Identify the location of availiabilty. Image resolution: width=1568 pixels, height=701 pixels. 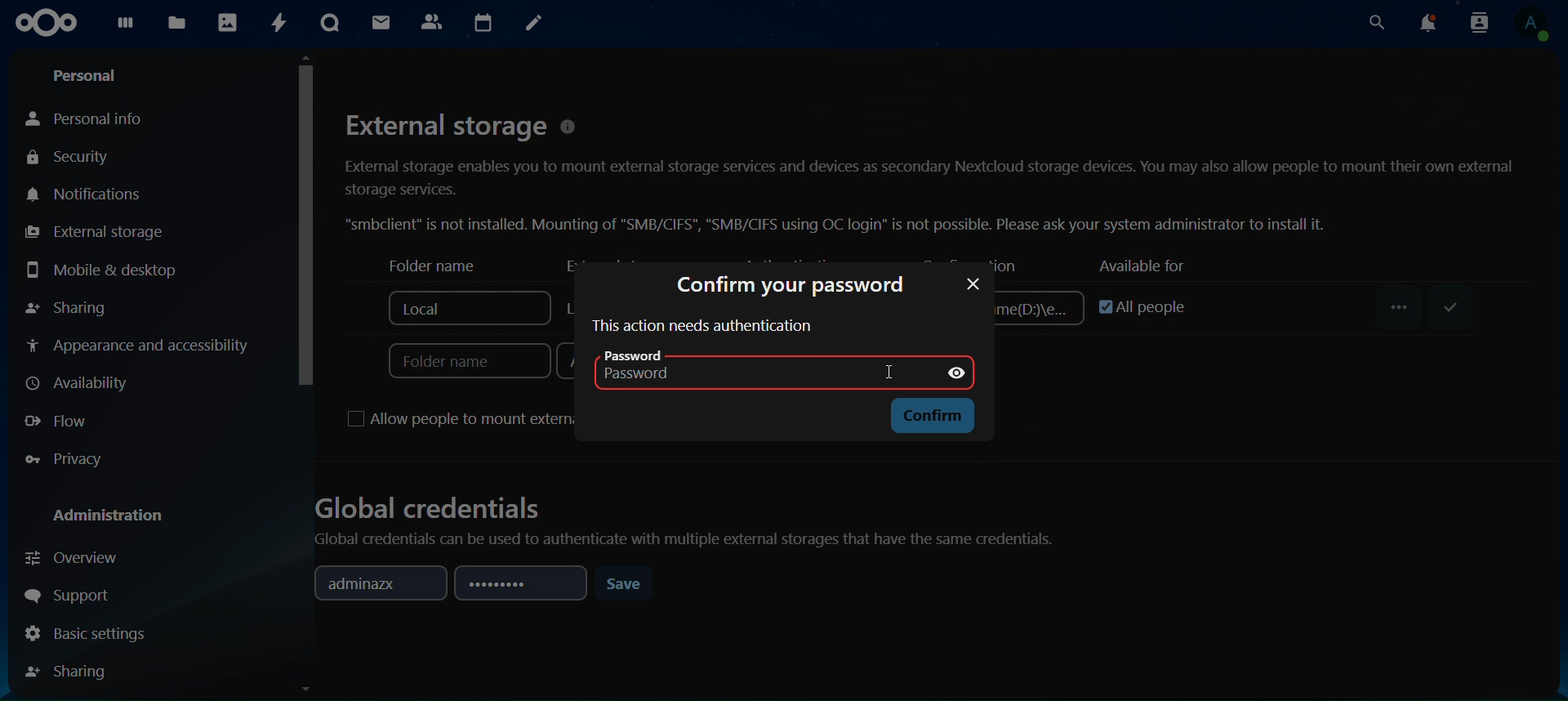
(82, 383).